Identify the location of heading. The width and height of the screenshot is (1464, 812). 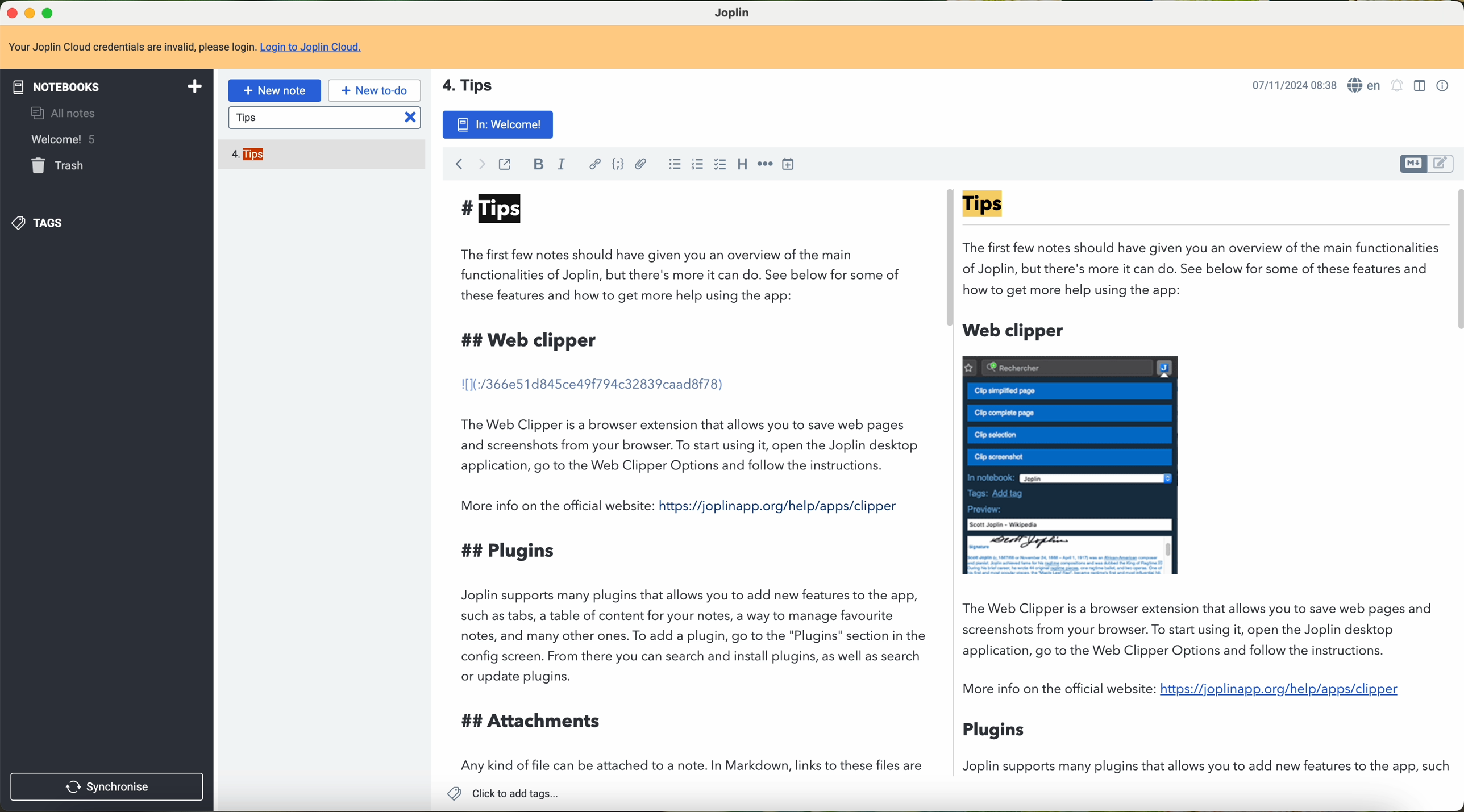
(741, 164).